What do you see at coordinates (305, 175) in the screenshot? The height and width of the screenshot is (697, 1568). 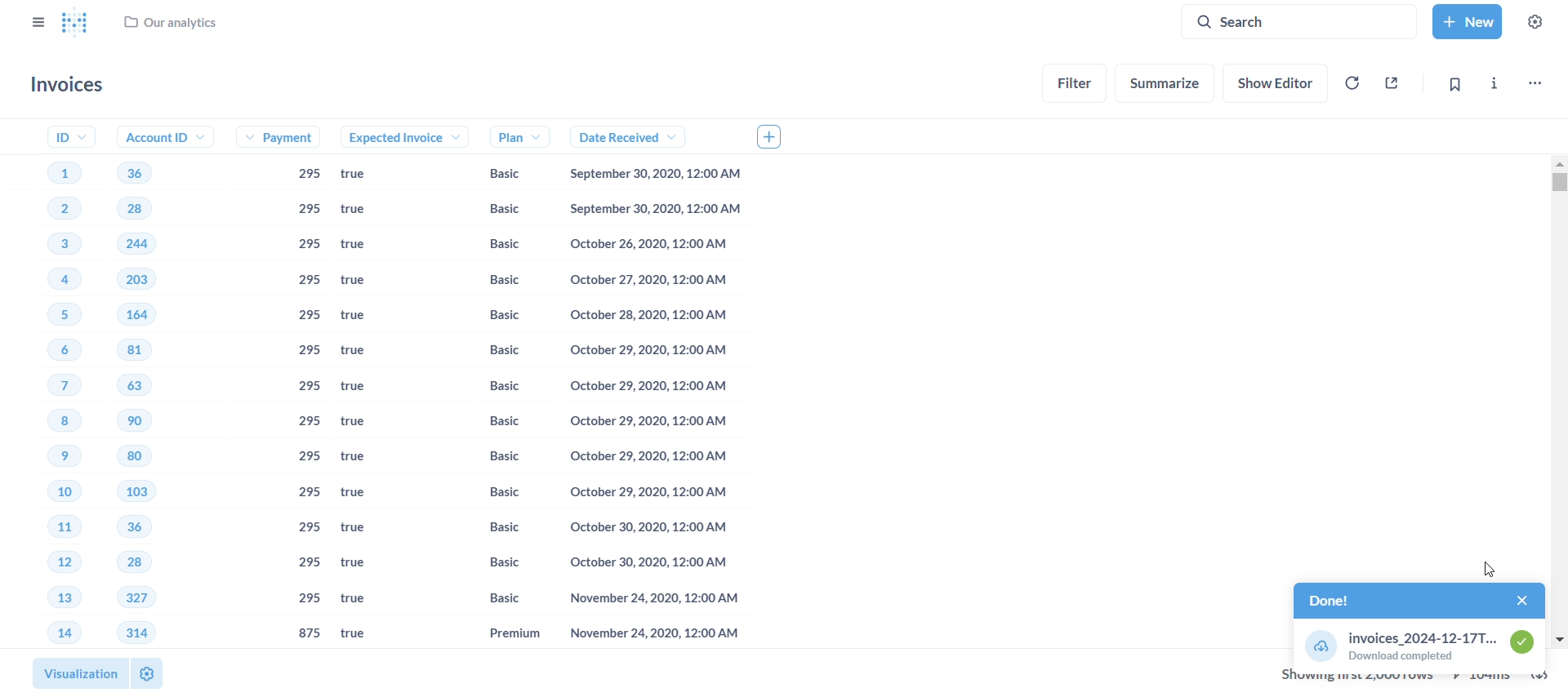 I see `295` at bounding box center [305, 175].